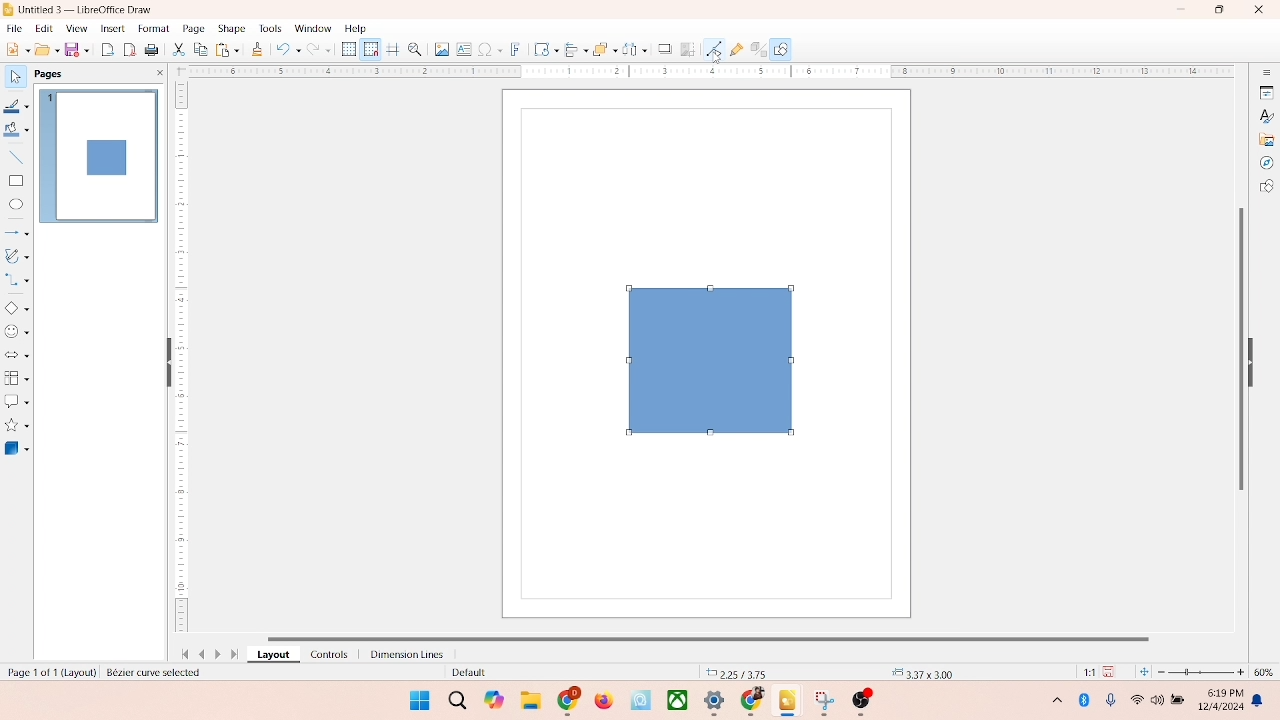 The width and height of the screenshot is (1280, 720). What do you see at coordinates (269, 28) in the screenshot?
I see `tools` at bounding box center [269, 28].